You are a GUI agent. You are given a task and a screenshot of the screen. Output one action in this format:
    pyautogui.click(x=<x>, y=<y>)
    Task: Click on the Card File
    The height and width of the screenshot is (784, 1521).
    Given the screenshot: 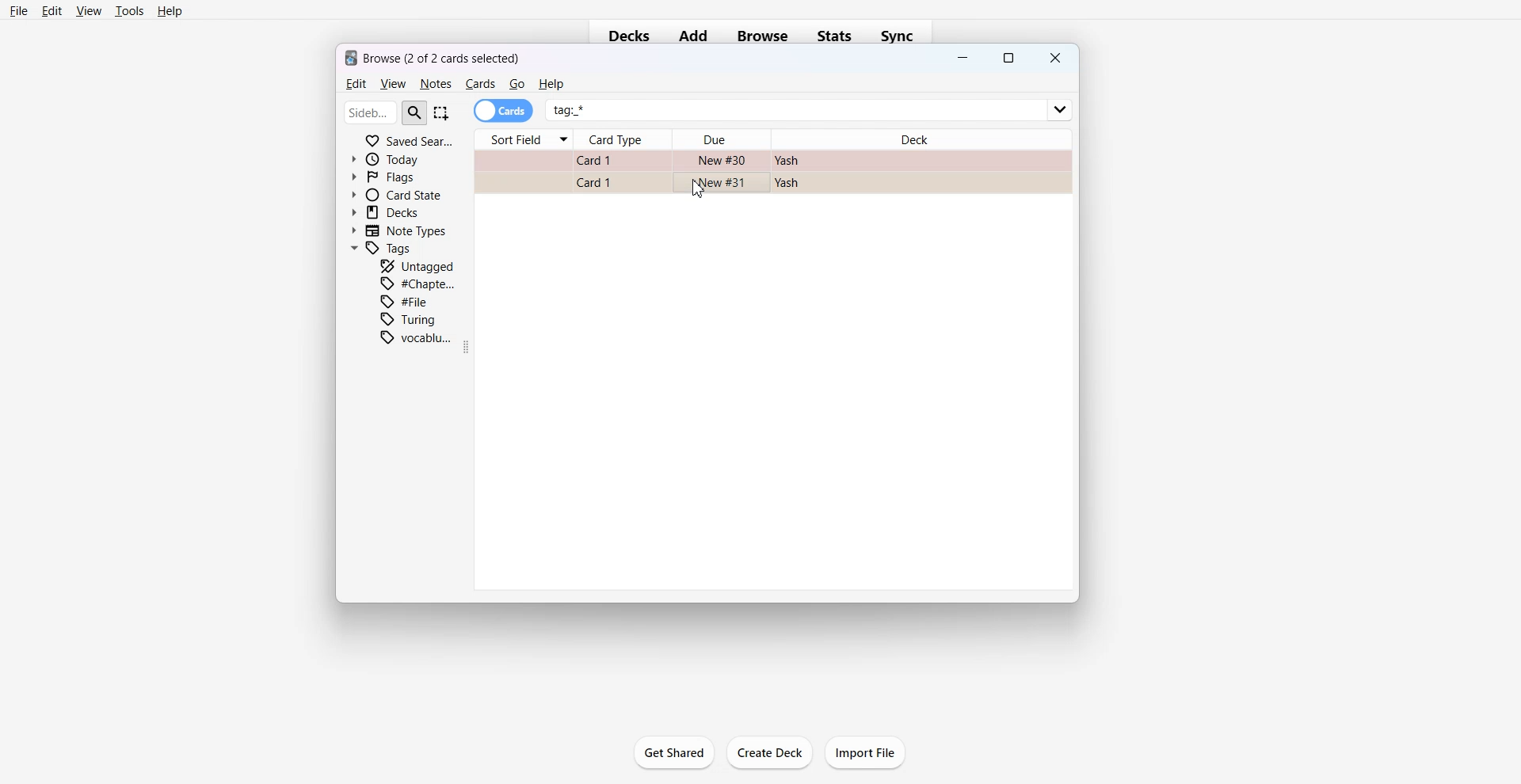 What is the action you would take?
    pyautogui.click(x=772, y=171)
    